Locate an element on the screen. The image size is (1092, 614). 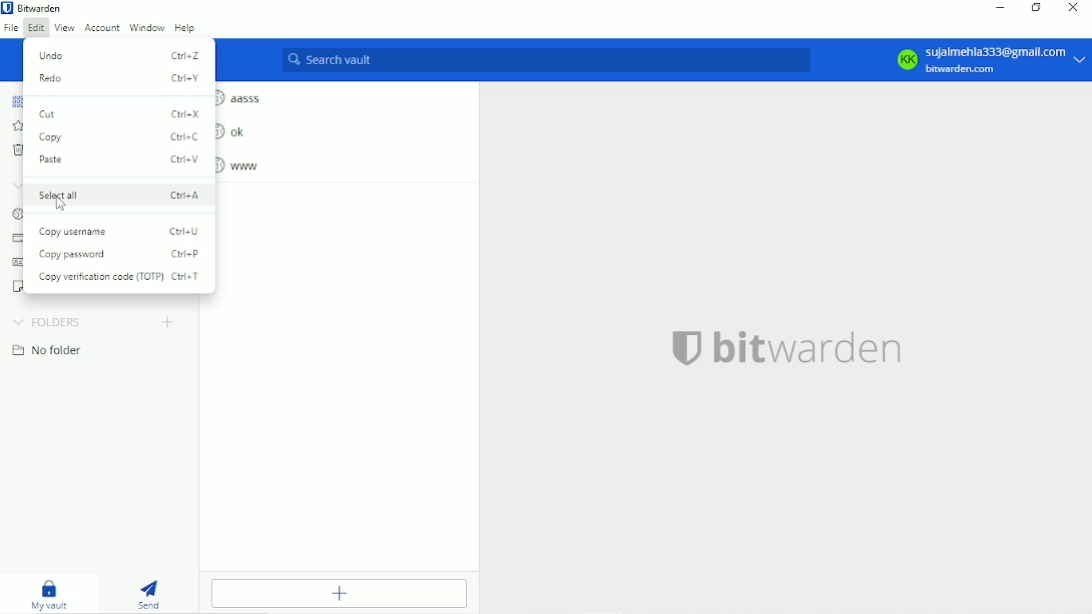
My vault is located at coordinates (51, 594).